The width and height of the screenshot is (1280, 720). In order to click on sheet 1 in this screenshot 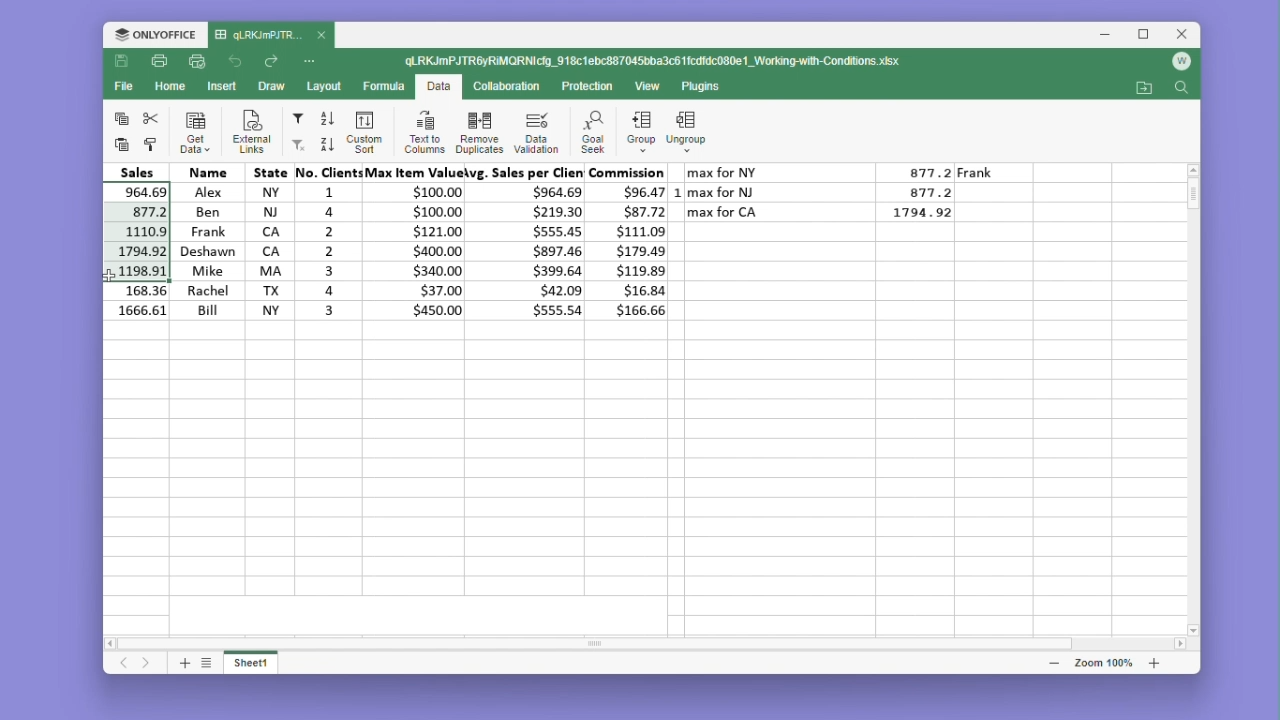, I will do `click(252, 661)`.